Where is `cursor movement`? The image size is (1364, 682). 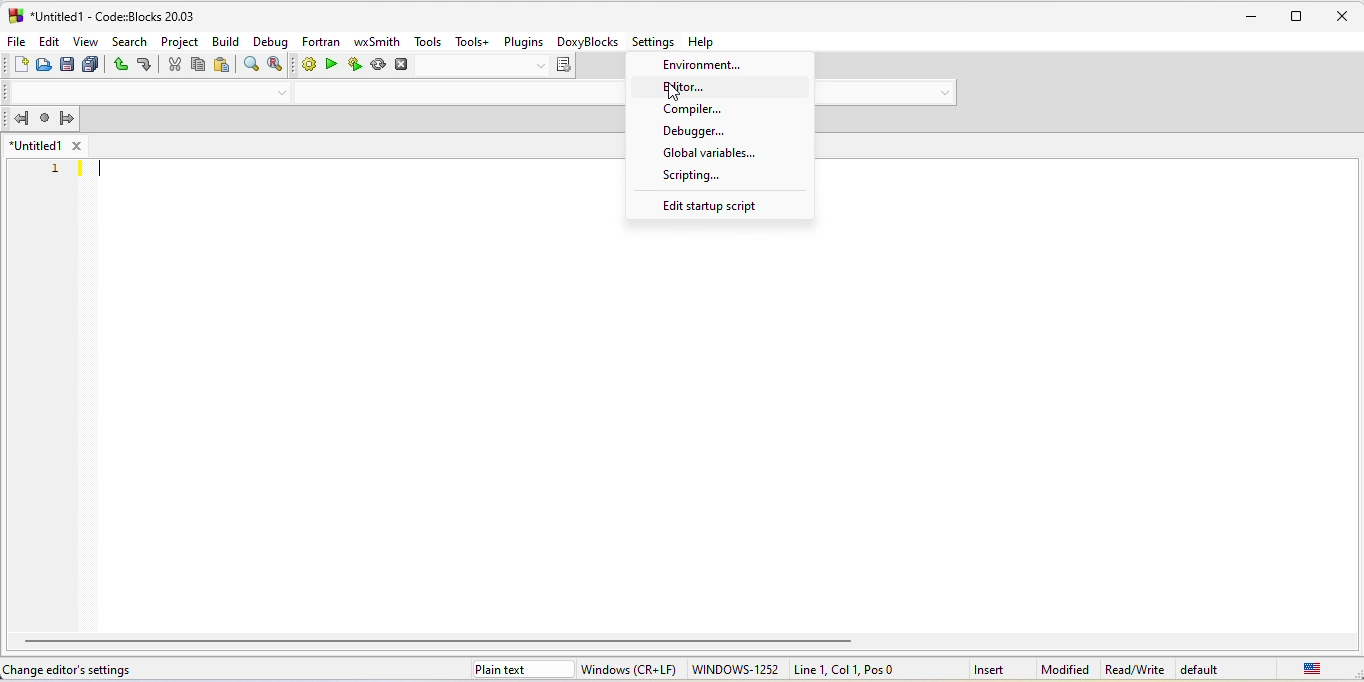 cursor movement is located at coordinates (673, 92).